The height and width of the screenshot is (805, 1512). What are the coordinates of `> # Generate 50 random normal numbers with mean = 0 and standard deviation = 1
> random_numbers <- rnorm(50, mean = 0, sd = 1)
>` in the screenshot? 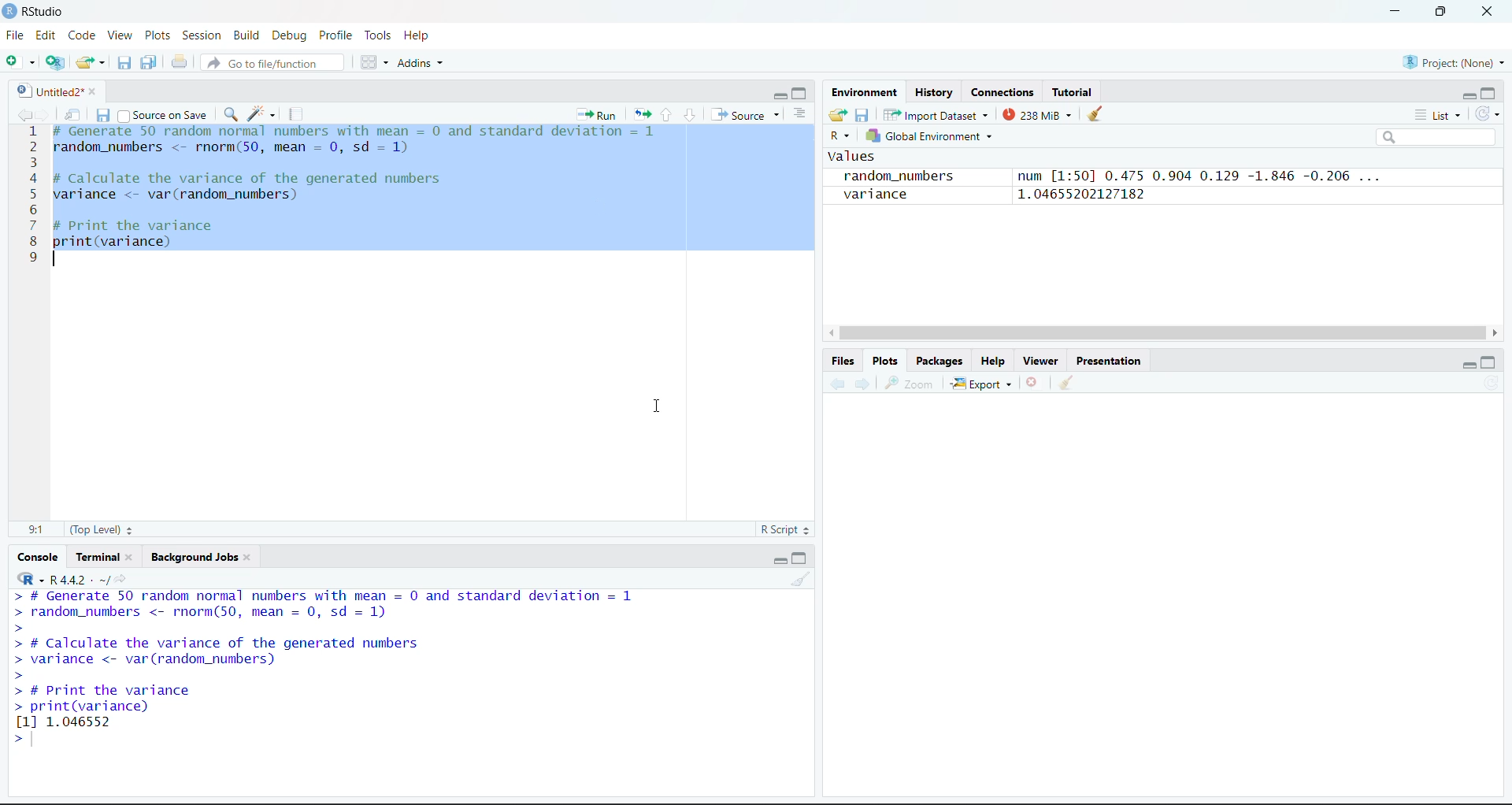 It's located at (324, 612).